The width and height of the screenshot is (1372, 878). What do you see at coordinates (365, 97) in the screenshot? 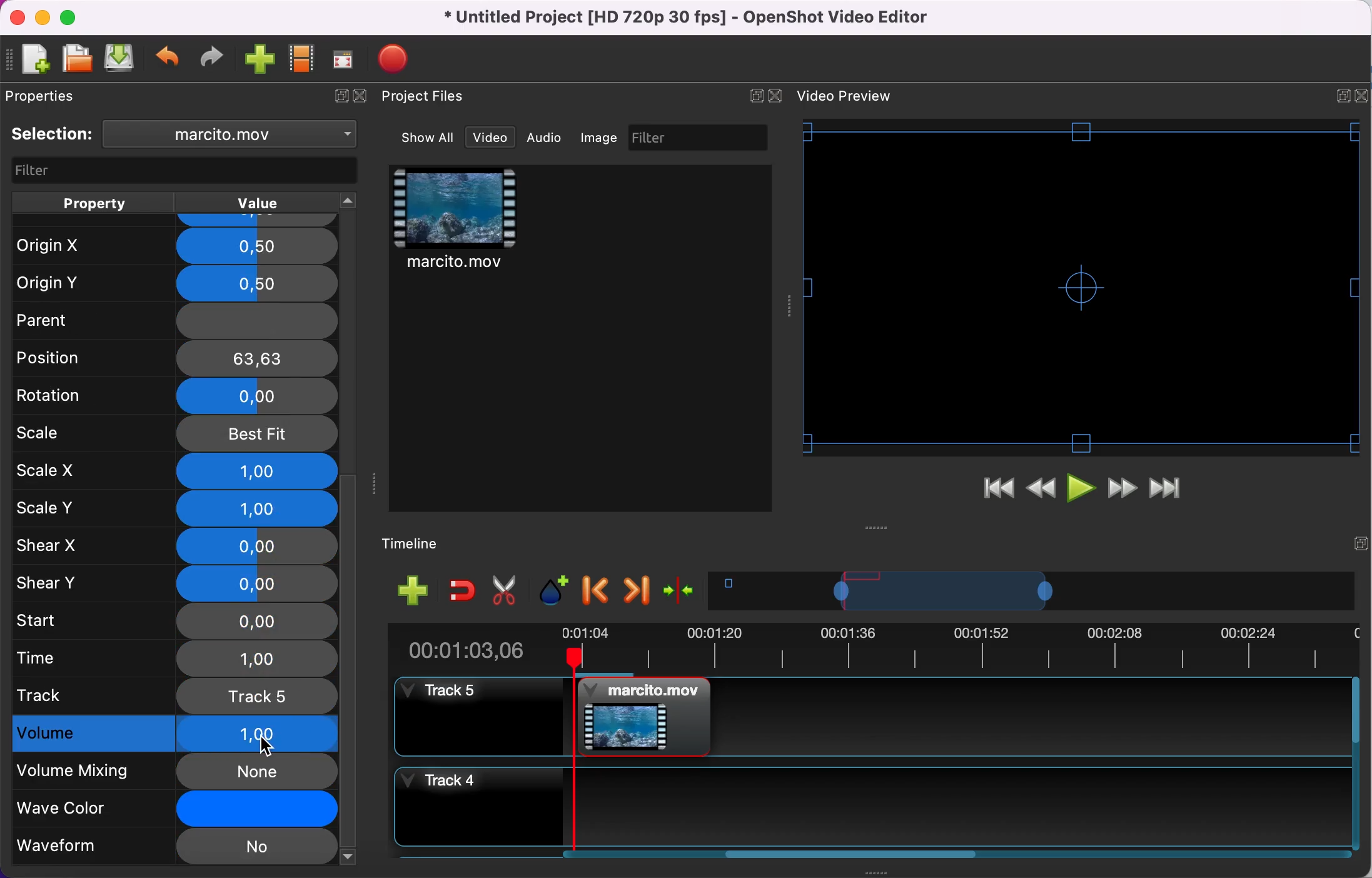
I see `close` at bounding box center [365, 97].